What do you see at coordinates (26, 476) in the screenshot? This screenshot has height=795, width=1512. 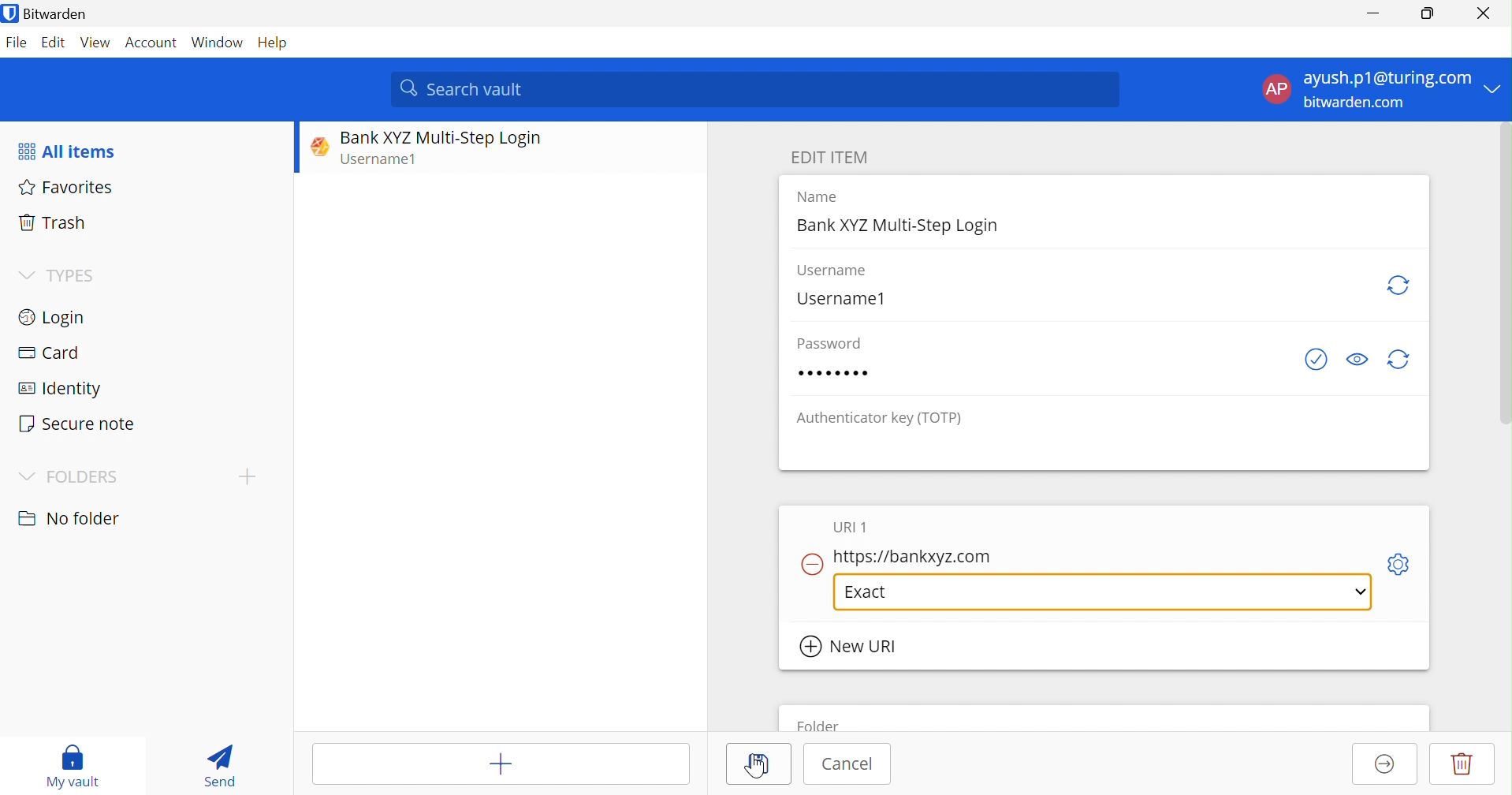 I see `Drop Down` at bounding box center [26, 476].